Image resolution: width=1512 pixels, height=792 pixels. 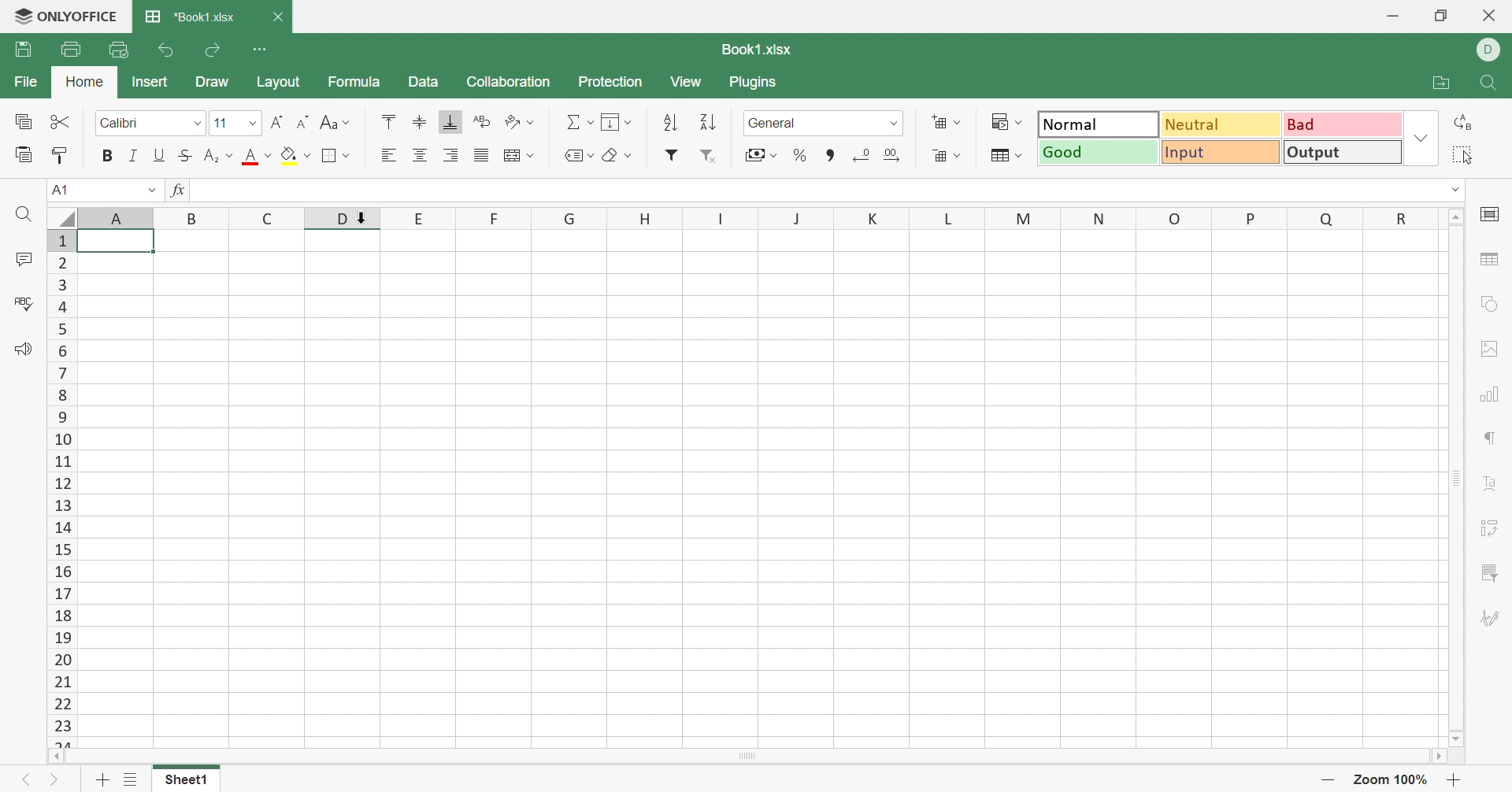 What do you see at coordinates (997, 120) in the screenshot?
I see `Conditional formatting` at bounding box center [997, 120].